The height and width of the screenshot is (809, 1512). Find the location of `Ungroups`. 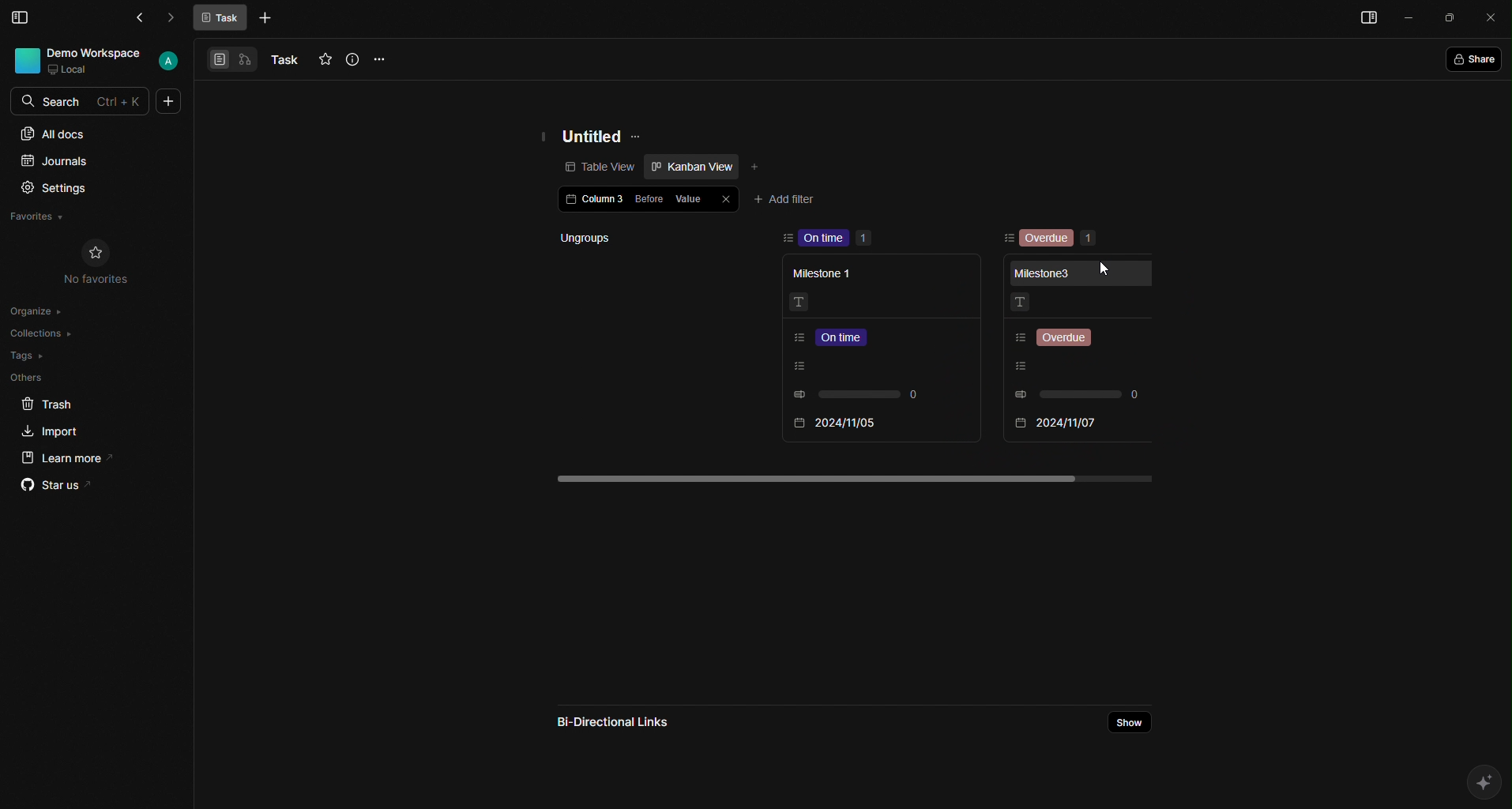

Ungroups is located at coordinates (627, 238).